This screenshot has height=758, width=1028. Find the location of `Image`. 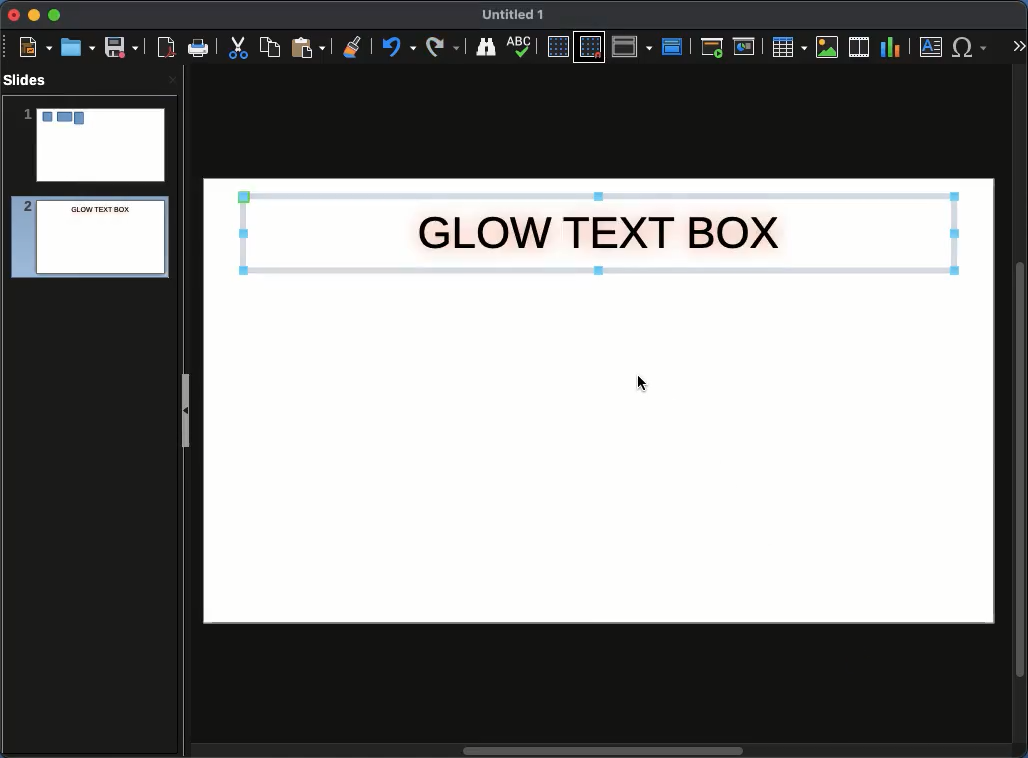

Image is located at coordinates (828, 47).